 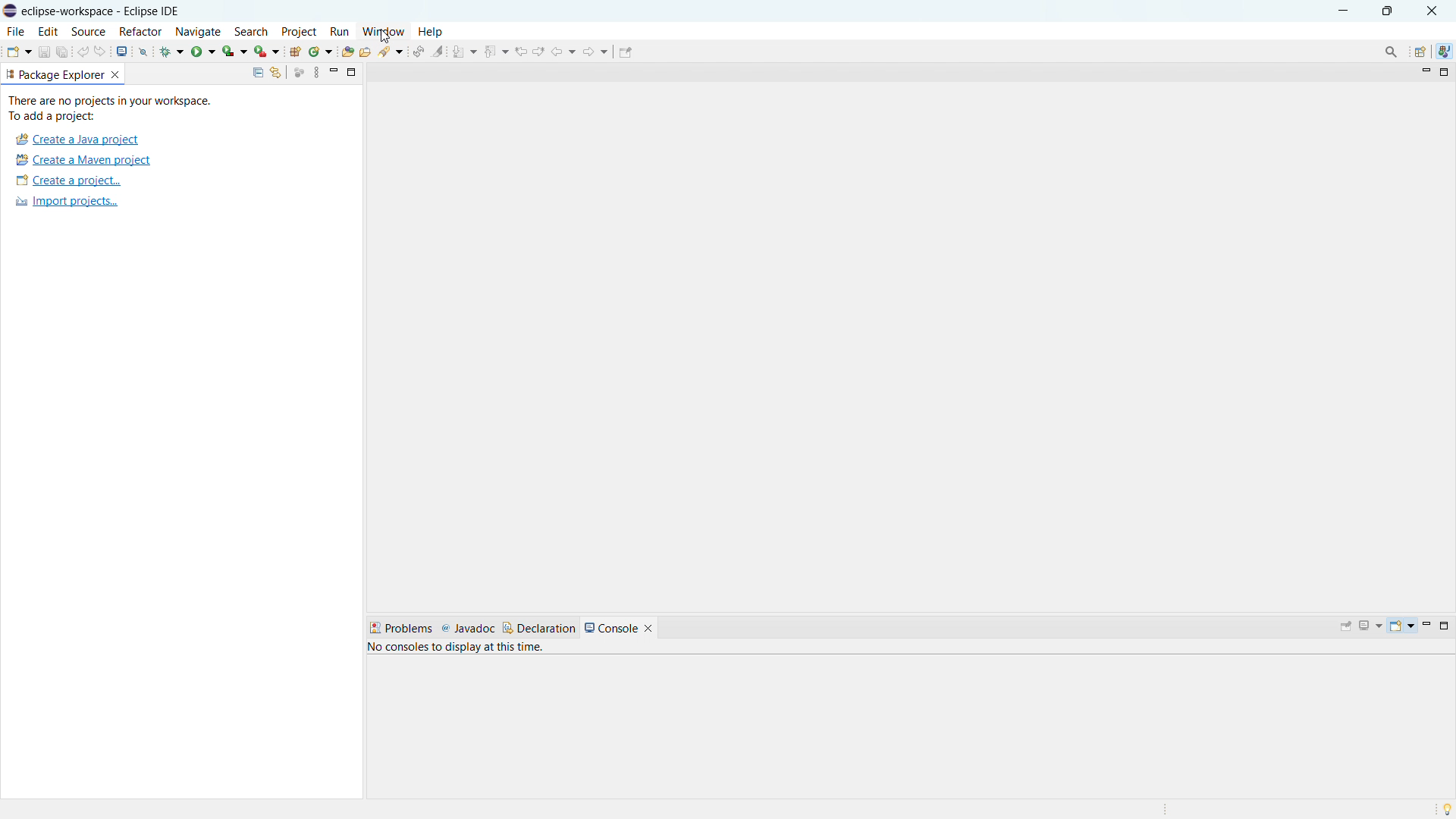 What do you see at coordinates (595, 51) in the screenshot?
I see `forward` at bounding box center [595, 51].